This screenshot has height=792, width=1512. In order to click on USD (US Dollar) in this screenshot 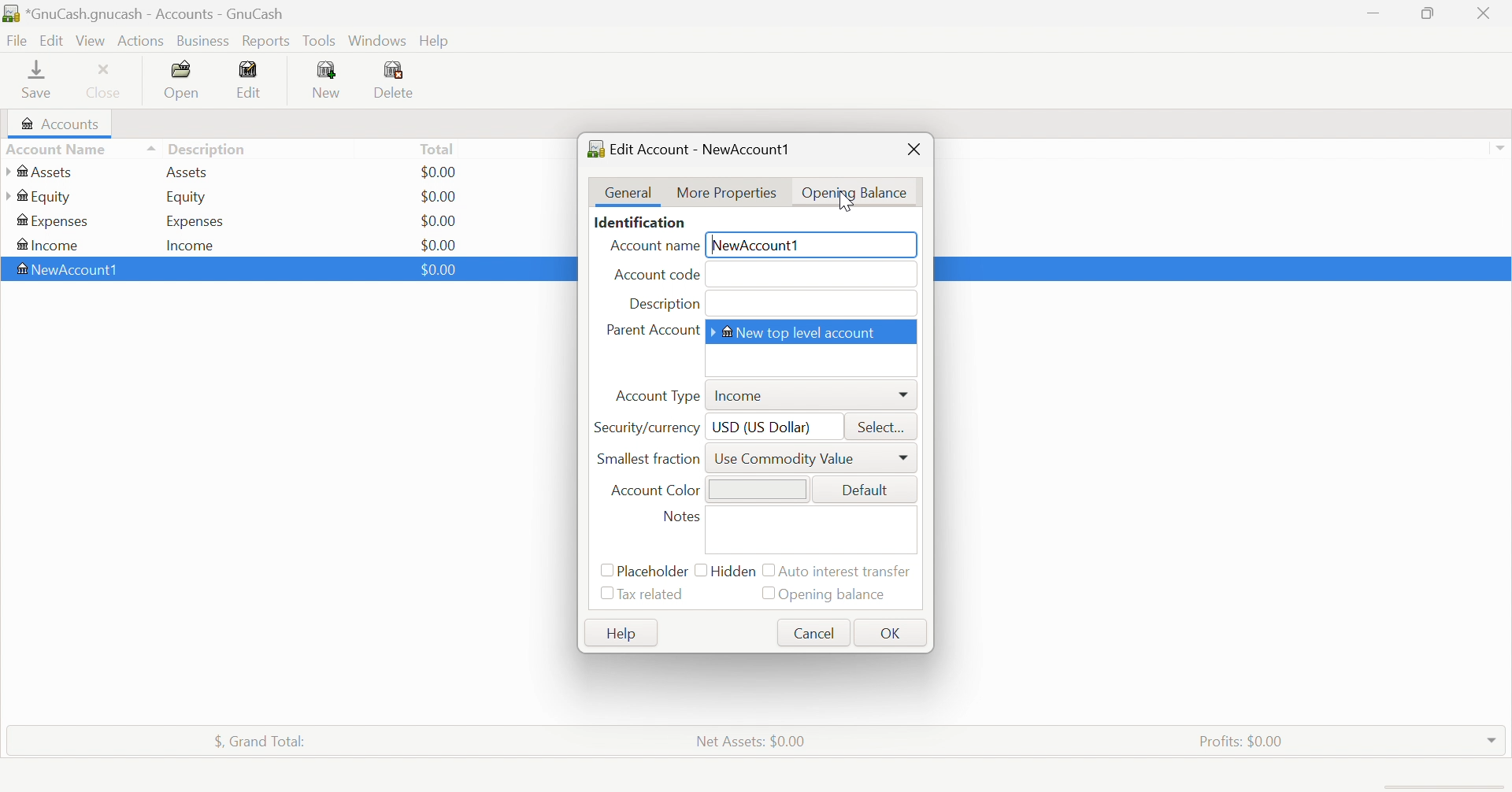, I will do `click(763, 427)`.